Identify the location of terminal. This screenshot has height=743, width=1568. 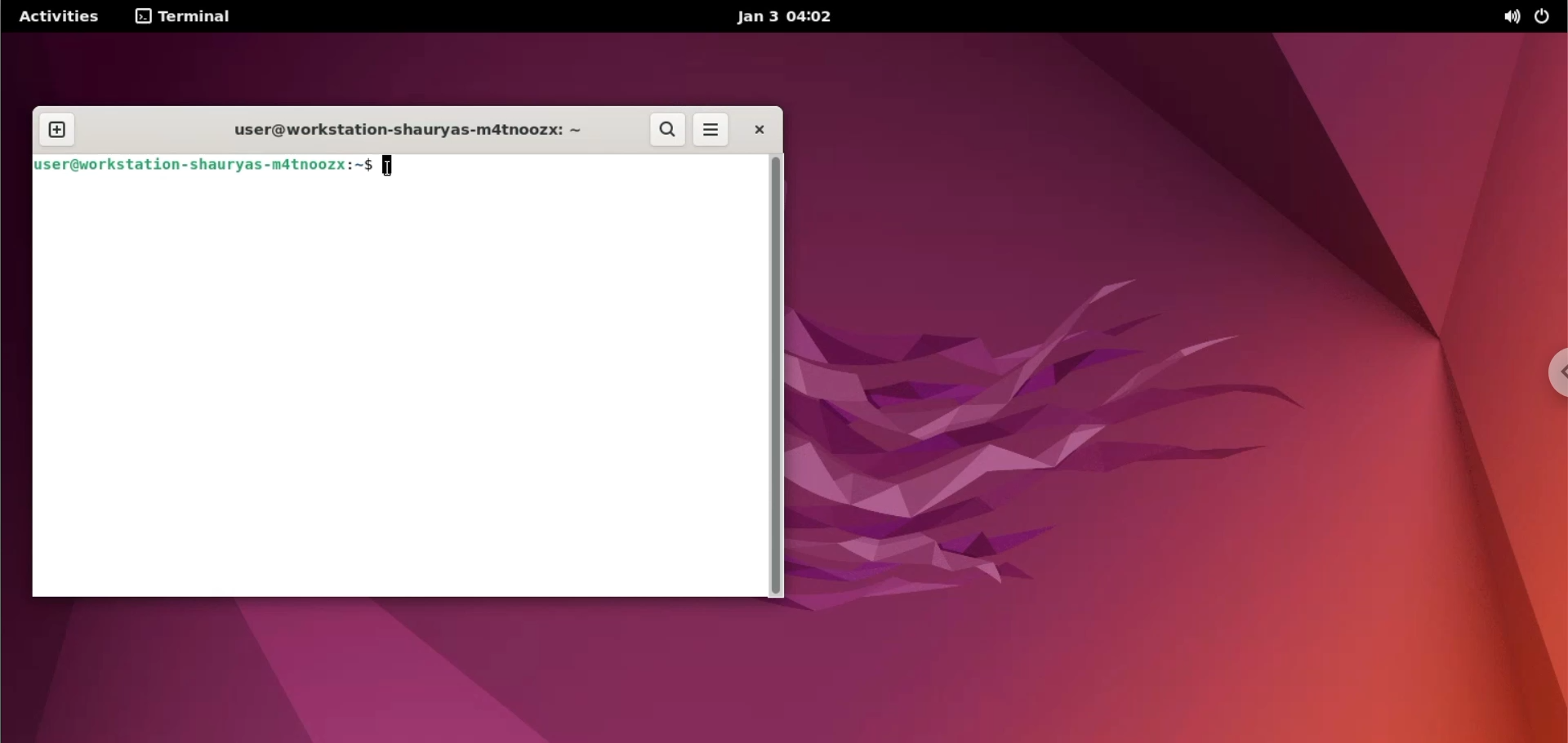
(188, 18).